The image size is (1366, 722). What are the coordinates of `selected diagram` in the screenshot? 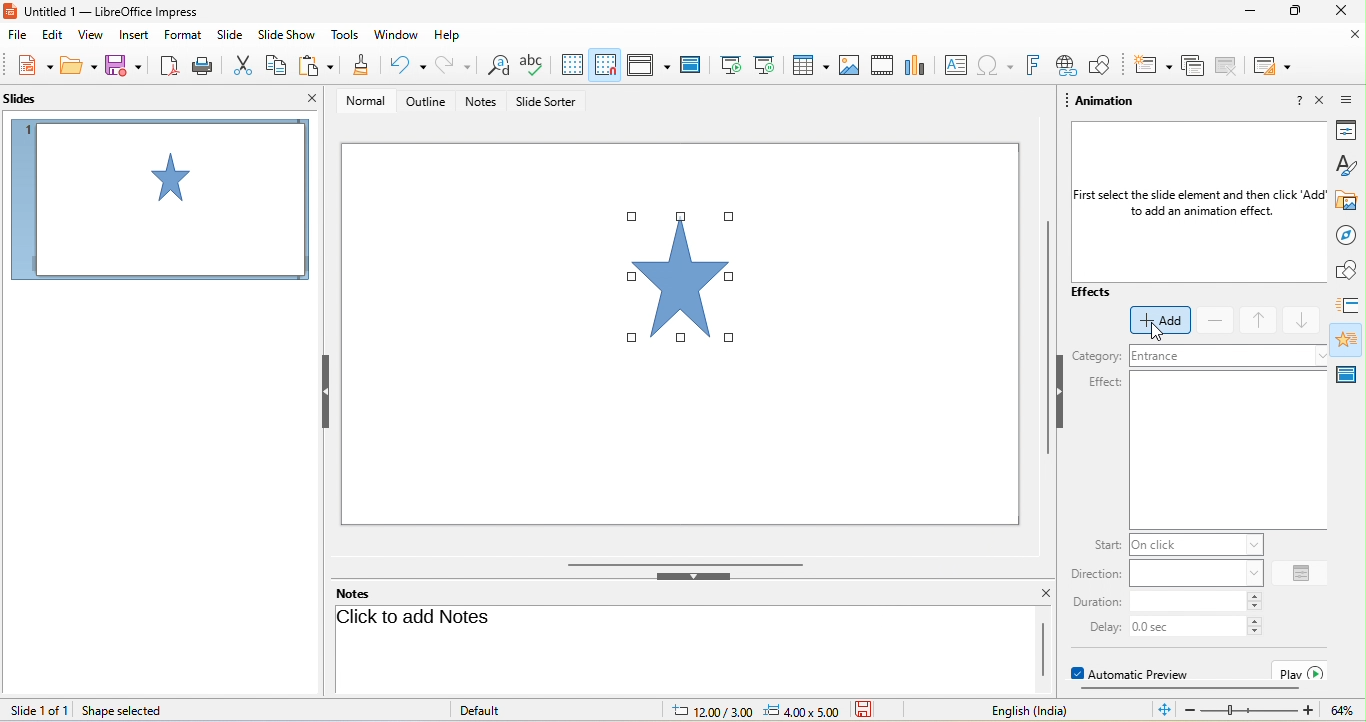 It's located at (689, 281).